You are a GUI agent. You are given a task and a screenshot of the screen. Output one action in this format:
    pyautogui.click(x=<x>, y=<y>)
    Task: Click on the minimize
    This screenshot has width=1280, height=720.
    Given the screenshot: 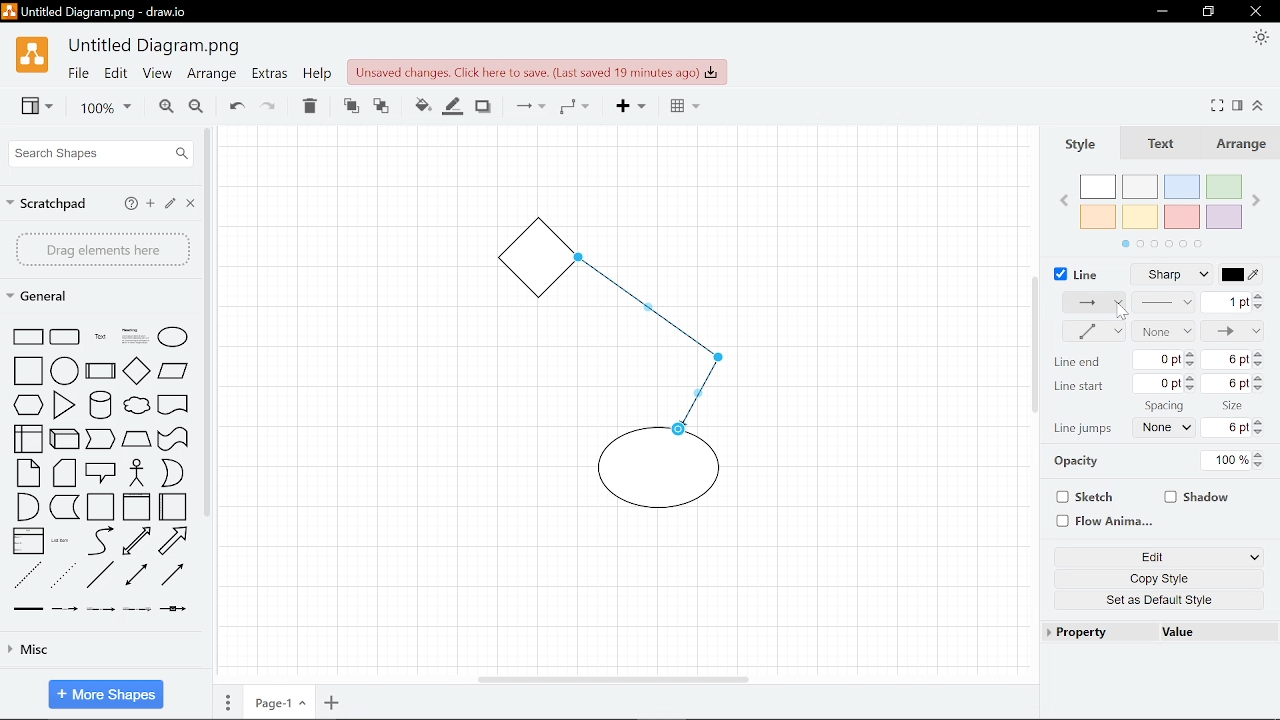 What is the action you would take?
    pyautogui.click(x=1211, y=12)
    